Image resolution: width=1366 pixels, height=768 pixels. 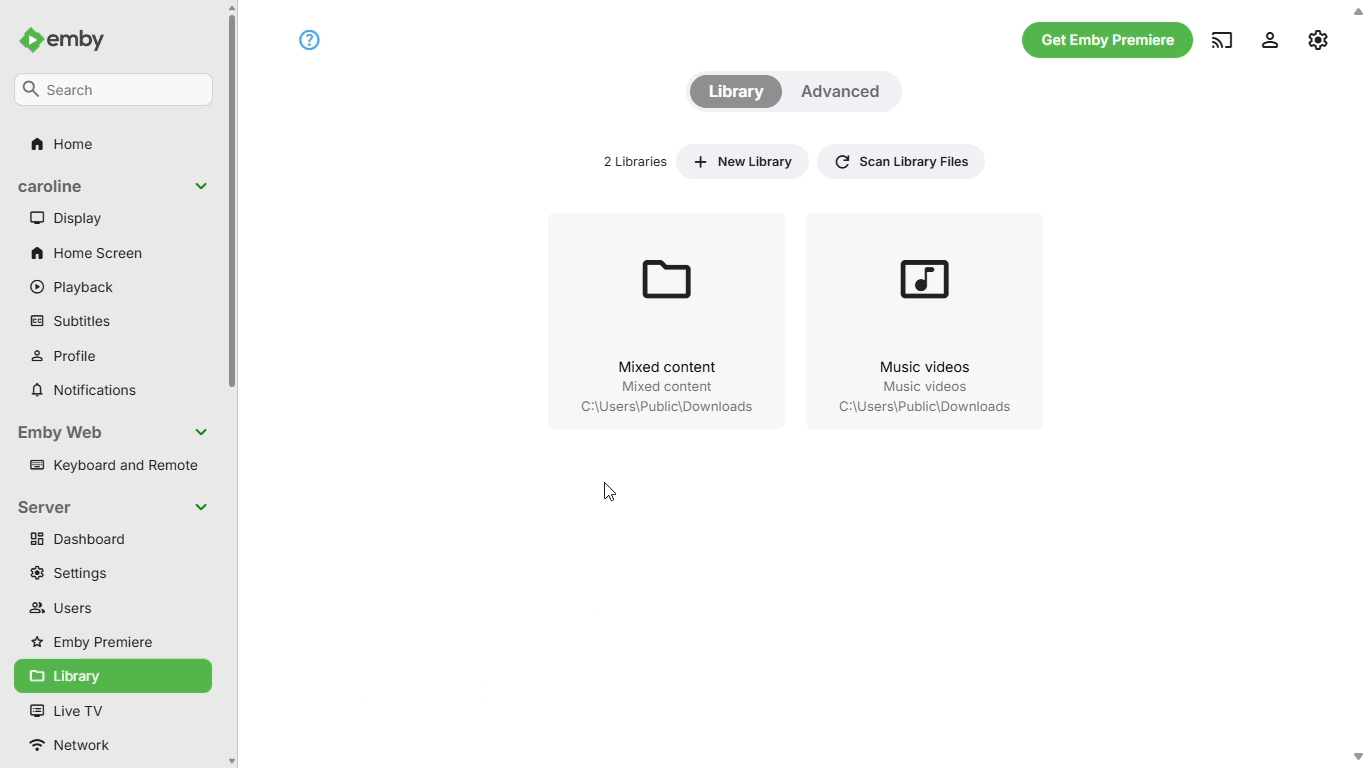 What do you see at coordinates (841, 92) in the screenshot?
I see `advanced` at bounding box center [841, 92].